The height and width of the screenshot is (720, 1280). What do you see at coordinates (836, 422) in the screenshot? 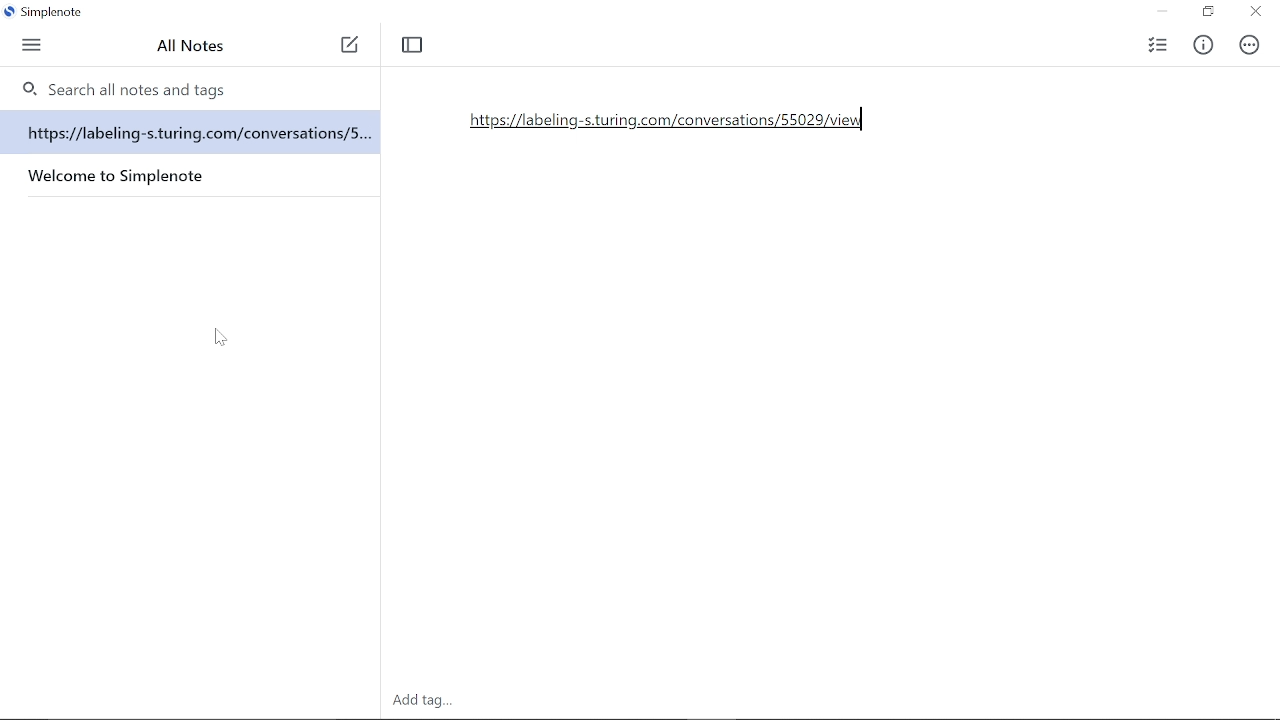
I see `space for writing on the note` at bounding box center [836, 422].